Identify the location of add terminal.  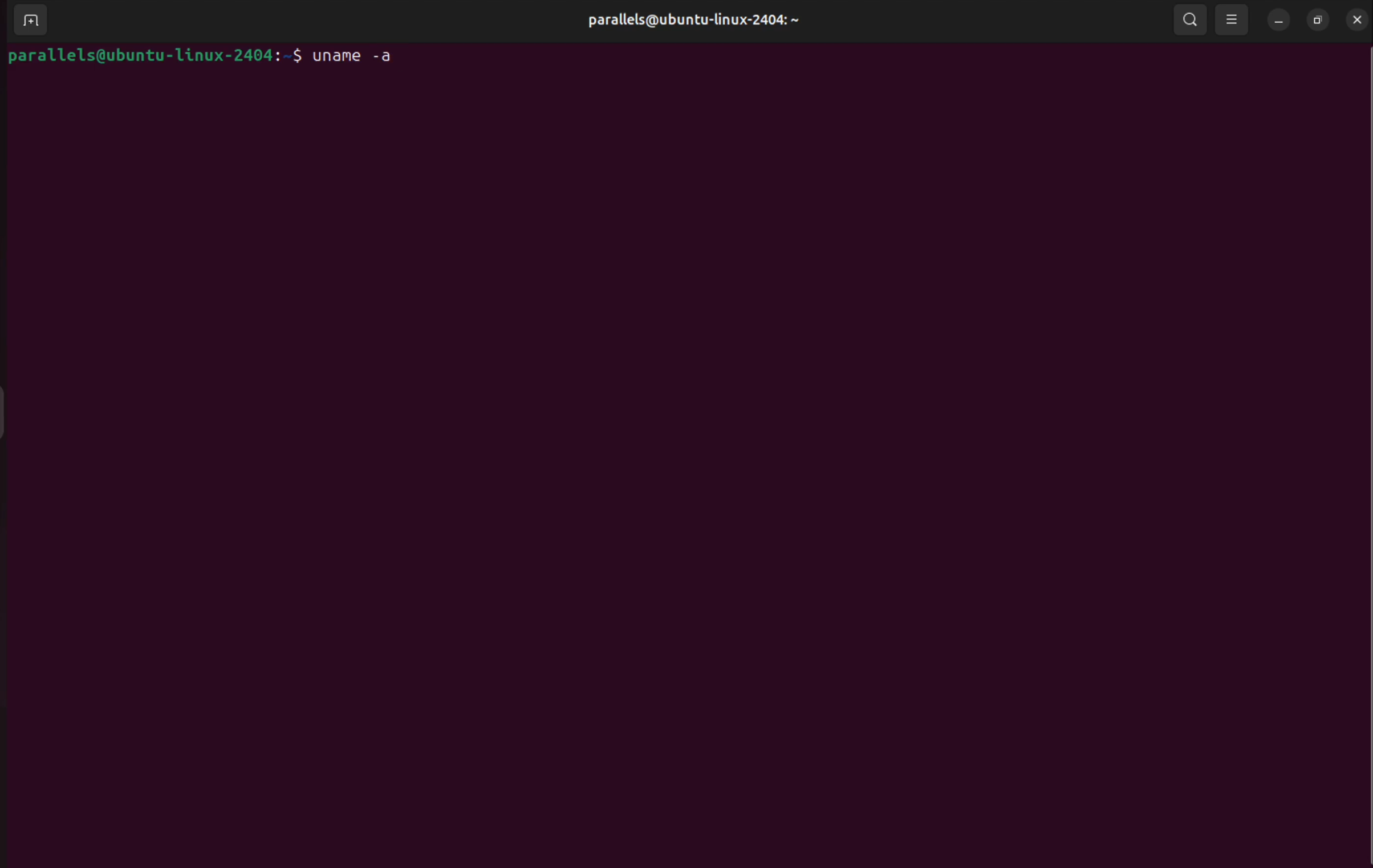
(31, 19).